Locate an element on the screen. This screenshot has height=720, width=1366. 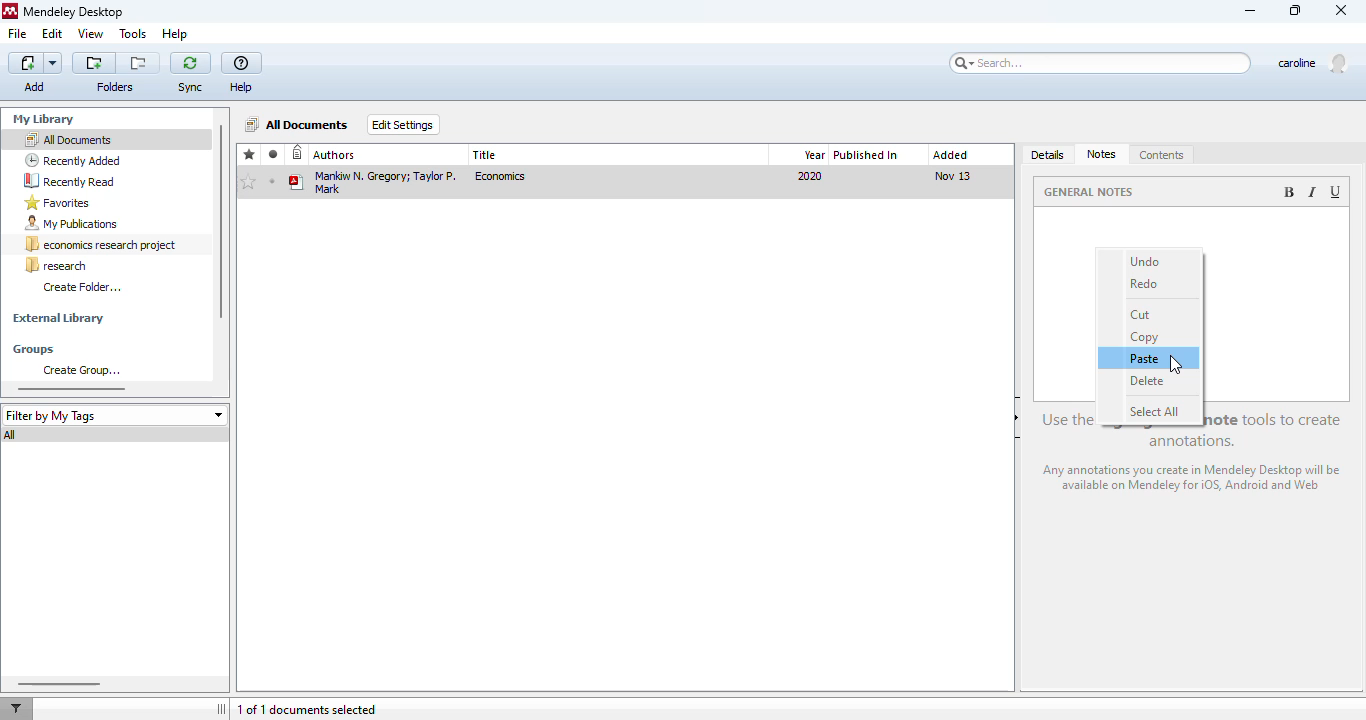
cursor is located at coordinates (1176, 364).